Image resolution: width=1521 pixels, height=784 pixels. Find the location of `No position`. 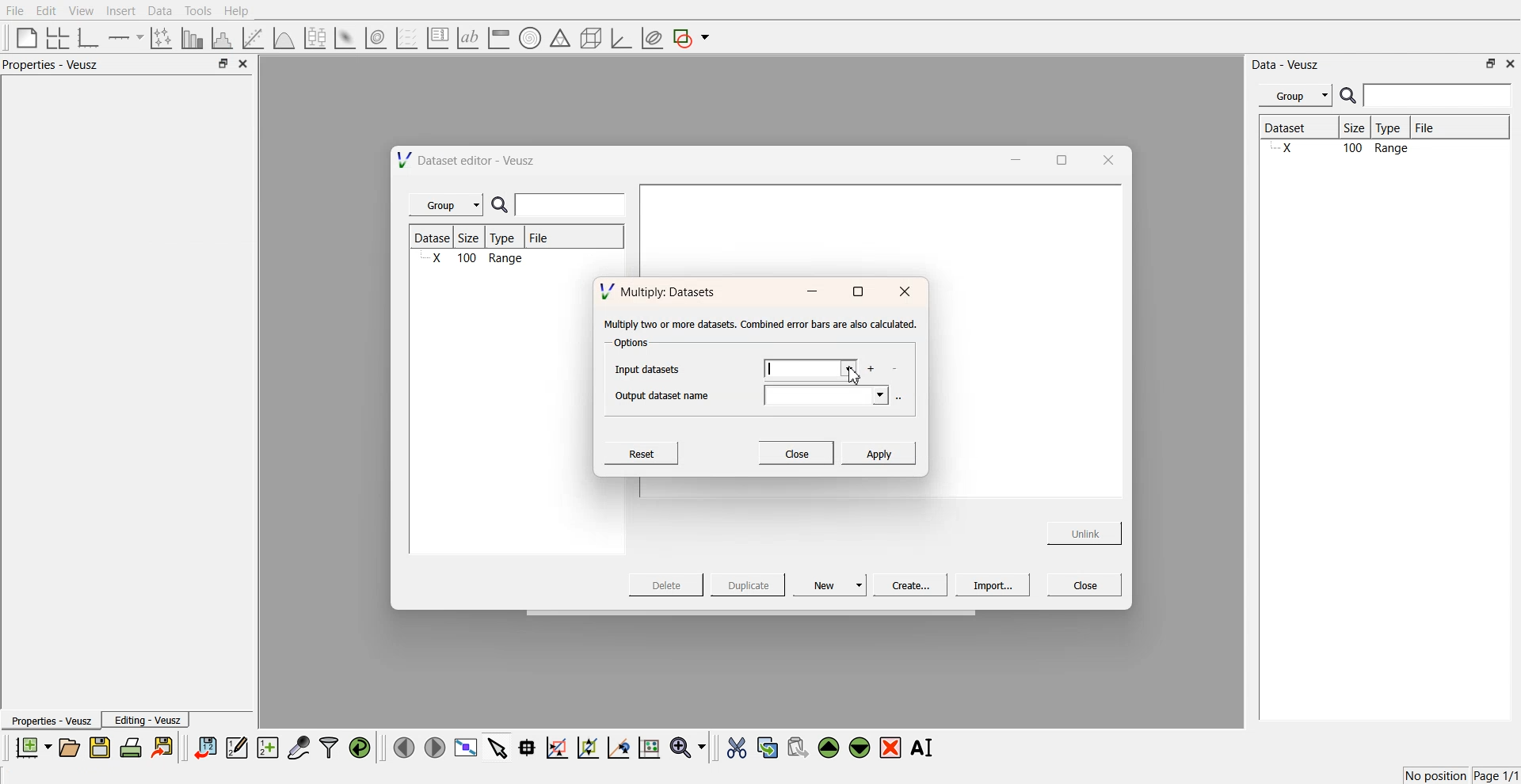

No position is located at coordinates (1438, 774).